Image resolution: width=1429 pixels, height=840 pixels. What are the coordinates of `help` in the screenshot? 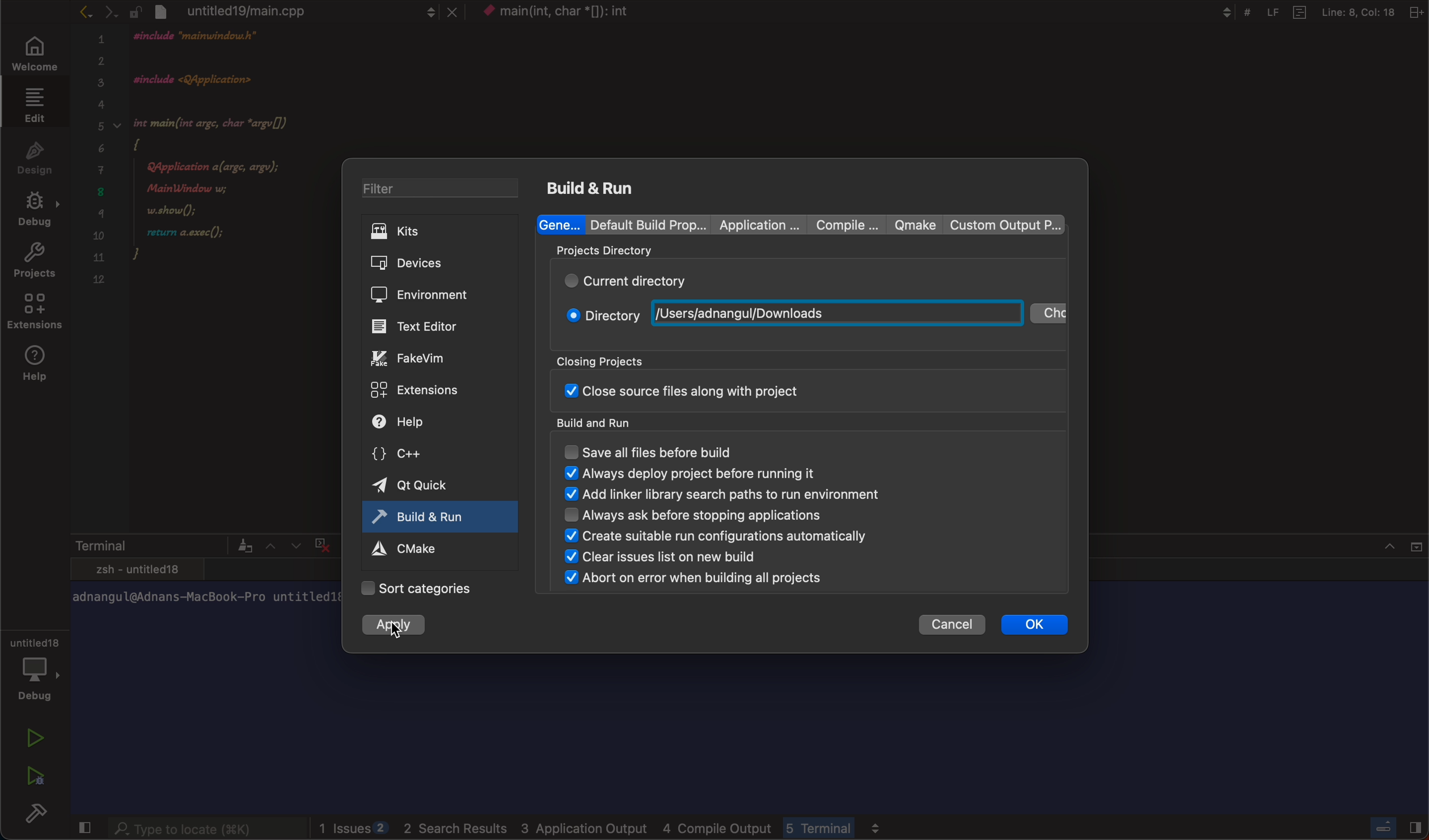 It's located at (409, 422).